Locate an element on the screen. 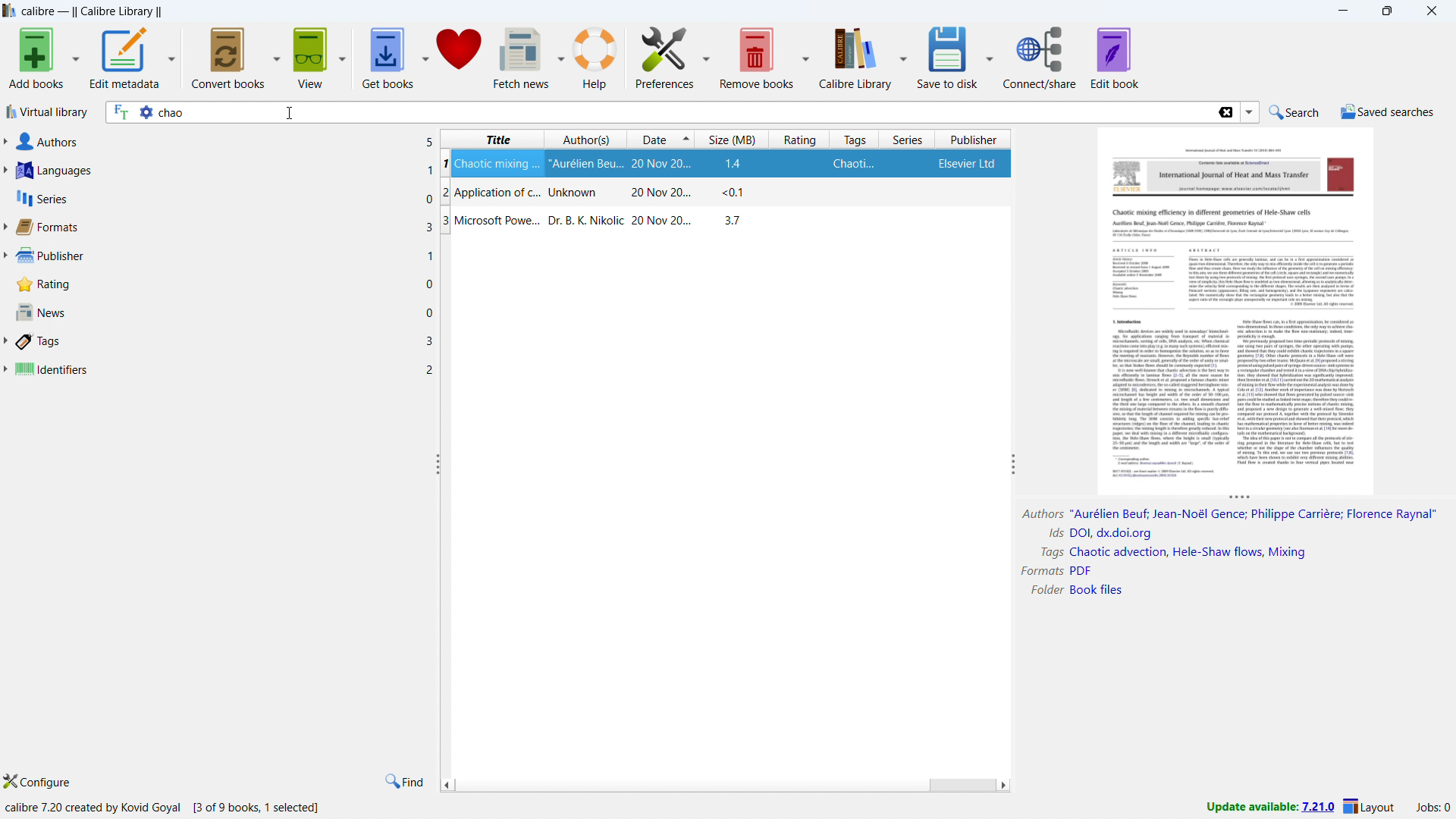  Application of c... is located at coordinates (726, 192).